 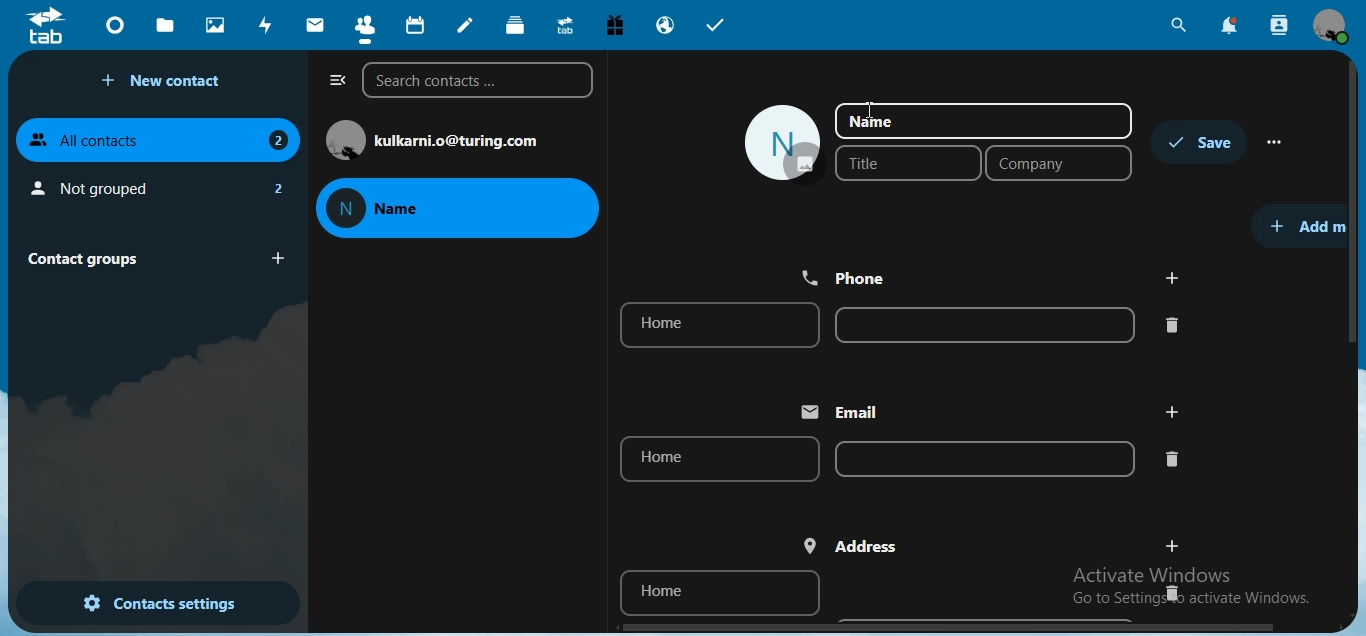 I want to click on home, so click(x=721, y=592).